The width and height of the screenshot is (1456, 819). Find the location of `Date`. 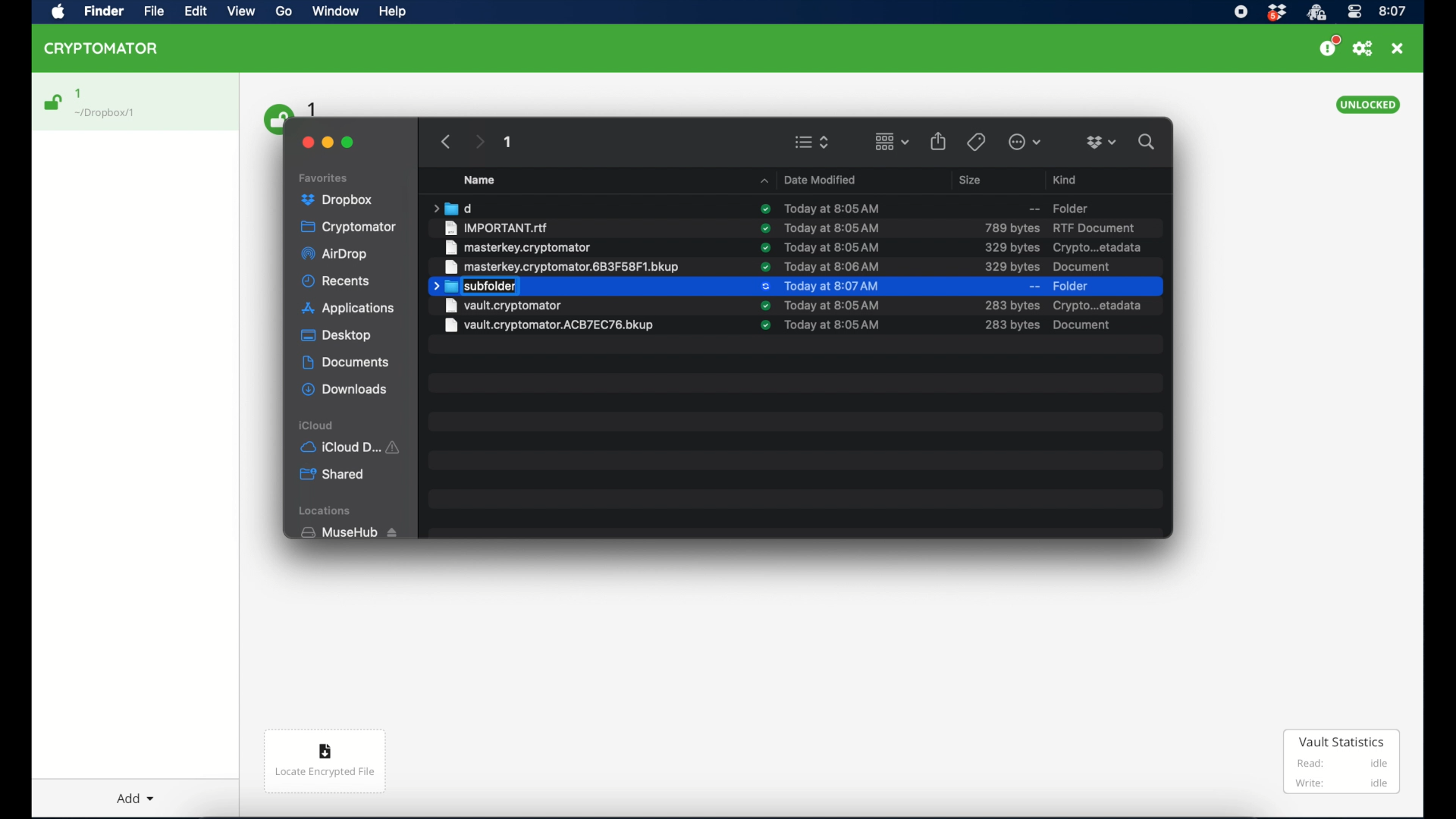

Date is located at coordinates (836, 327).